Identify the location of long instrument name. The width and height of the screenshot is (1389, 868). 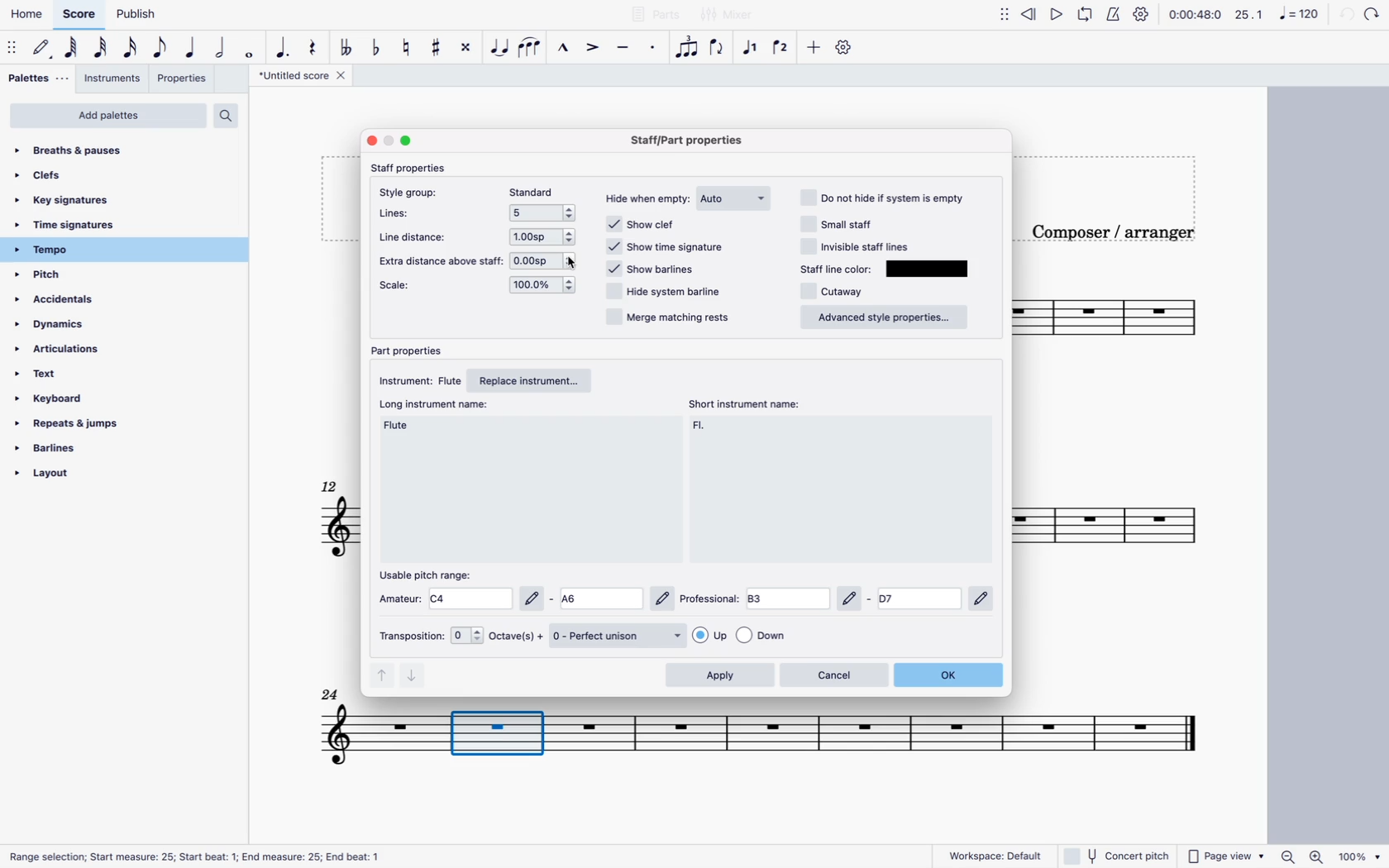
(404, 426).